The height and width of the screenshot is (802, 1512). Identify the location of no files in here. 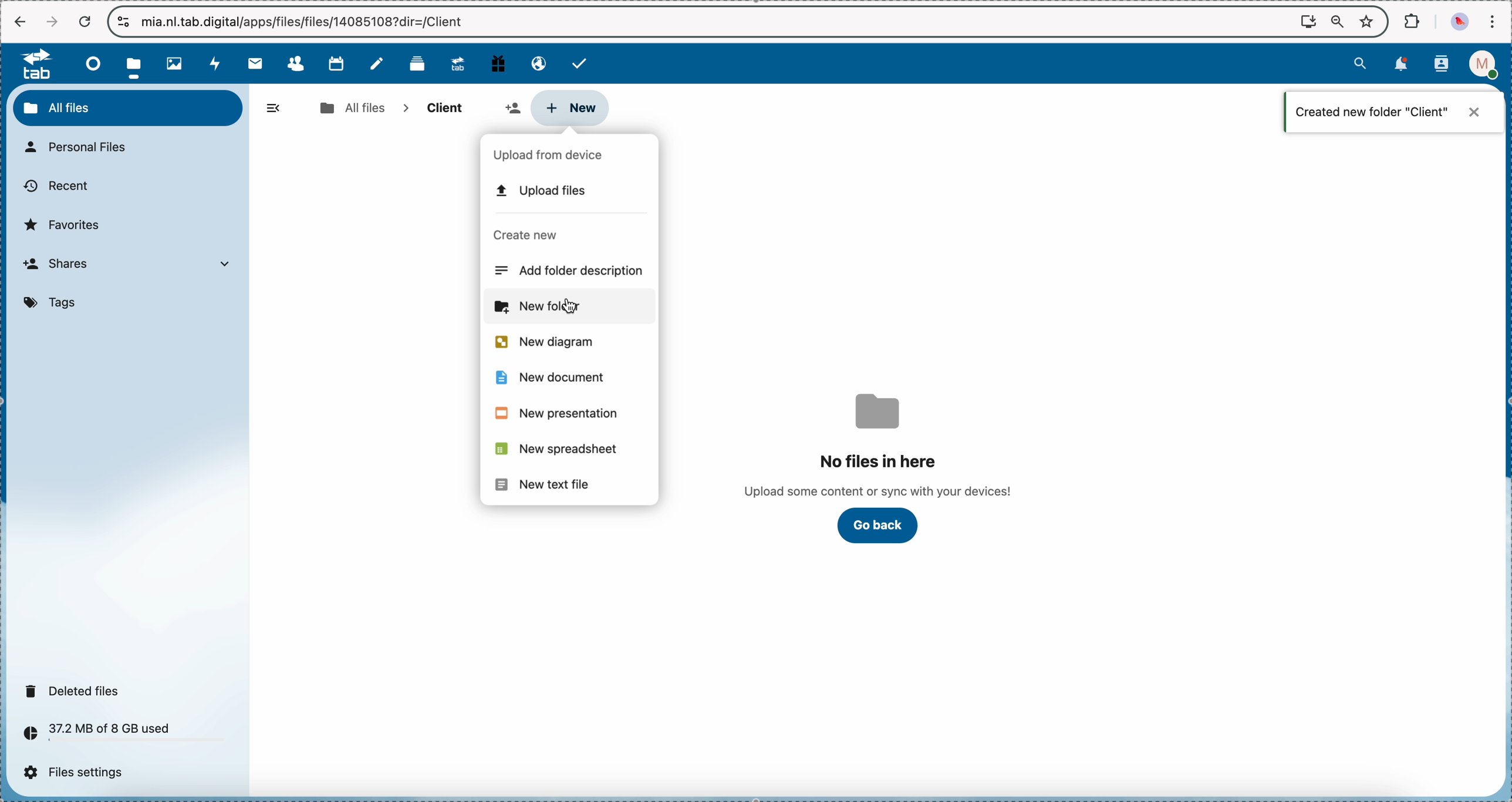
(880, 445).